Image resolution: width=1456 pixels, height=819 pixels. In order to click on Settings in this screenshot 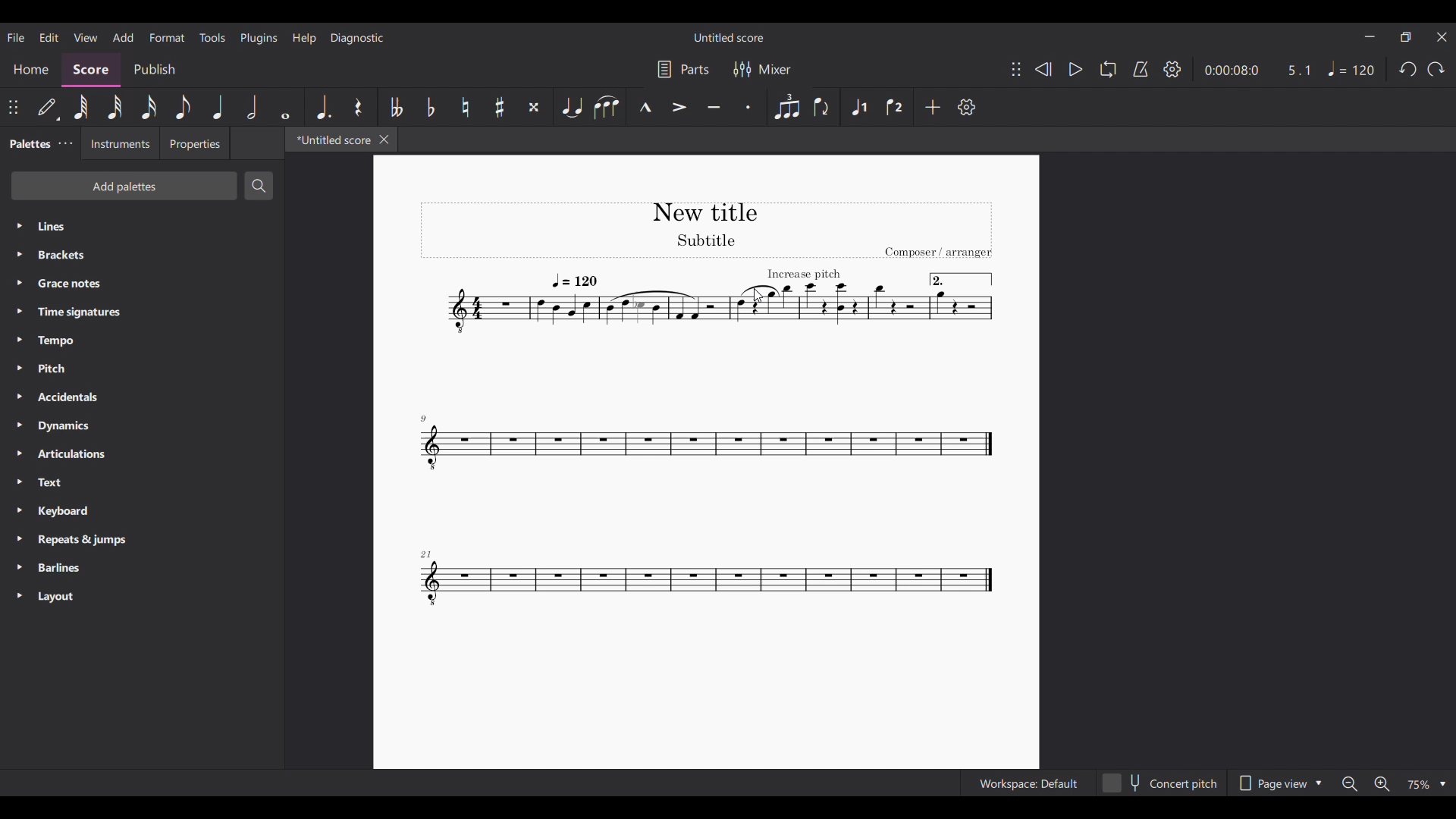, I will do `click(1172, 69)`.